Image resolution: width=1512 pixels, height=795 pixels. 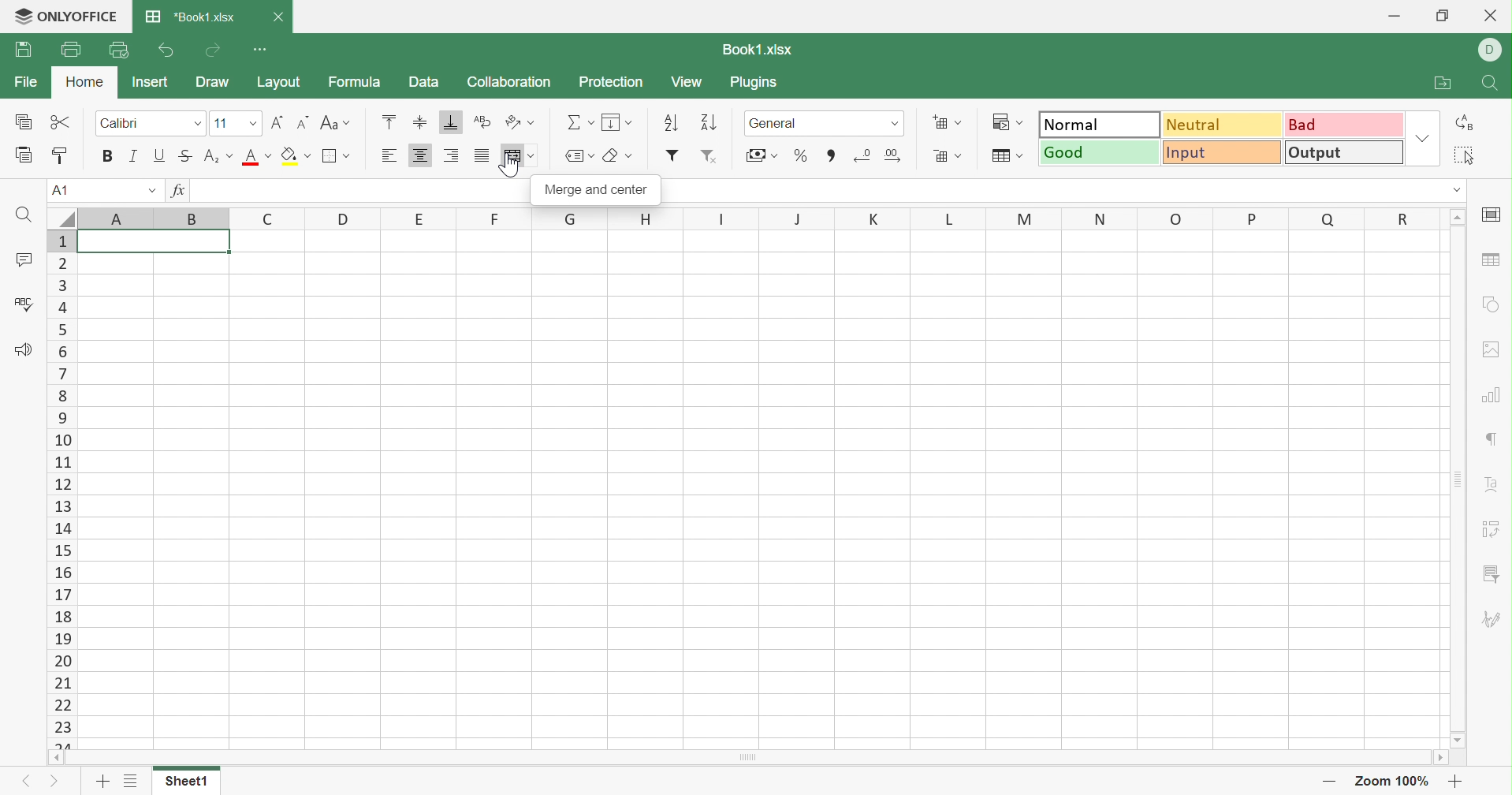 I want to click on Drop Down, so click(x=253, y=123).